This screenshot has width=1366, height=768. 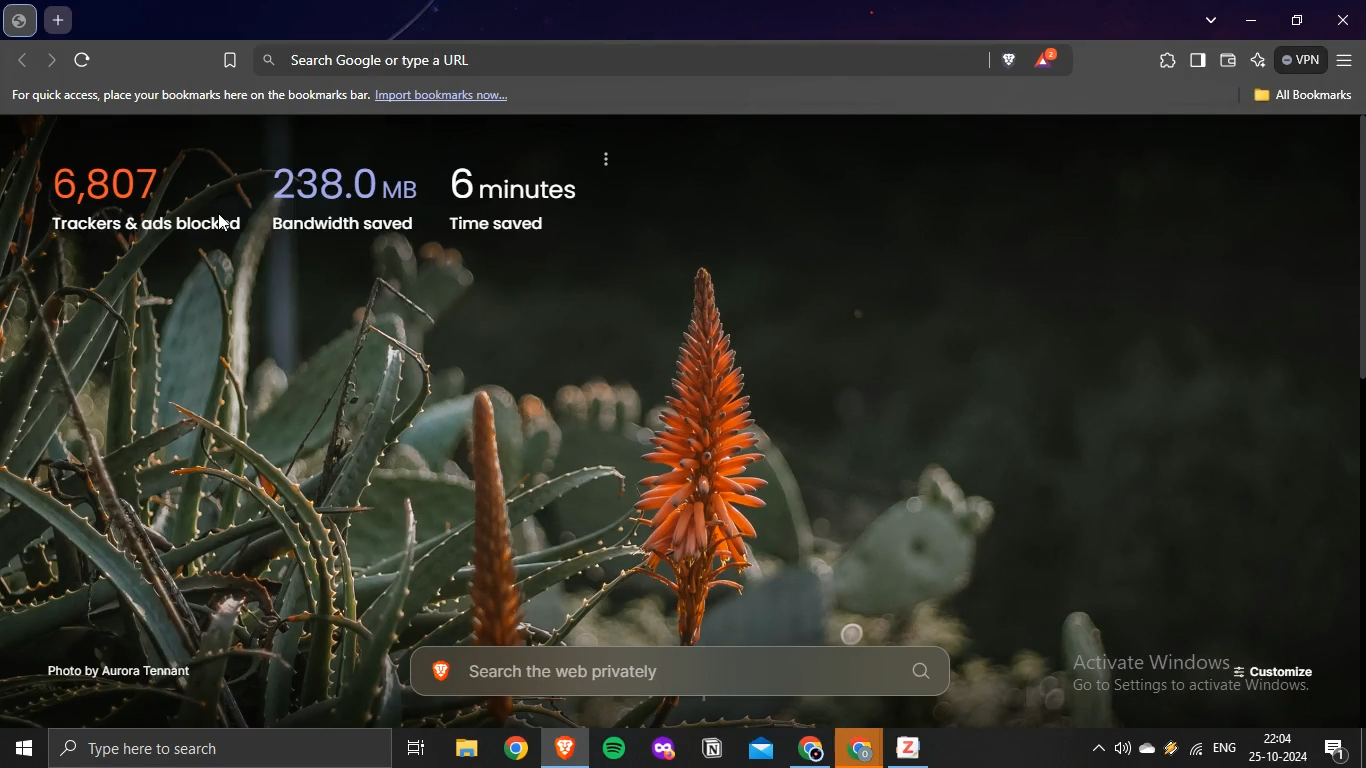 What do you see at coordinates (762, 749) in the screenshot?
I see `outlook` at bounding box center [762, 749].